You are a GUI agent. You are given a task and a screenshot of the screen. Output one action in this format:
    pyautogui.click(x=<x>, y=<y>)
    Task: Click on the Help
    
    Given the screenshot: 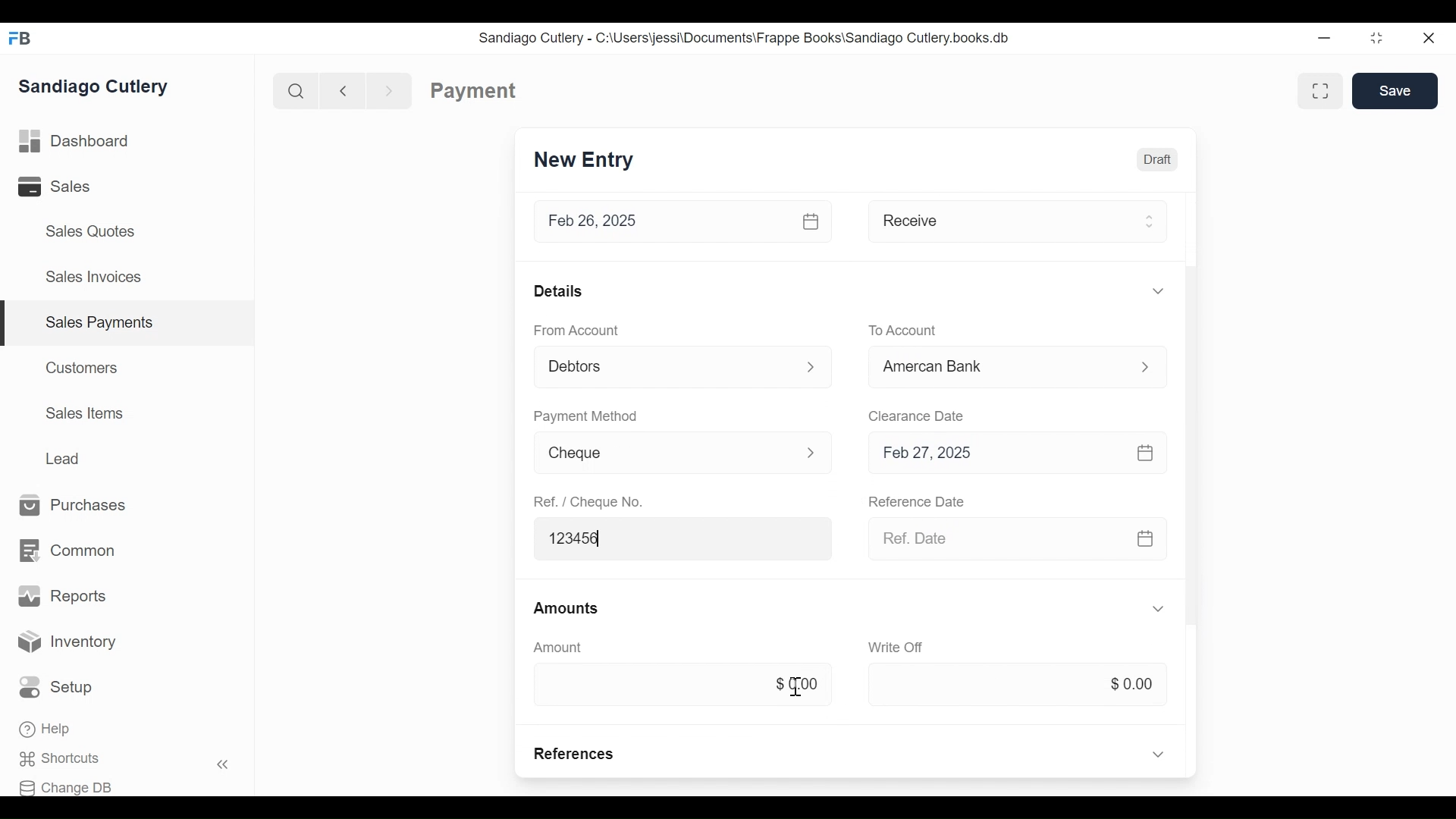 What is the action you would take?
    pyautogui.click(x=47, y=730)
    